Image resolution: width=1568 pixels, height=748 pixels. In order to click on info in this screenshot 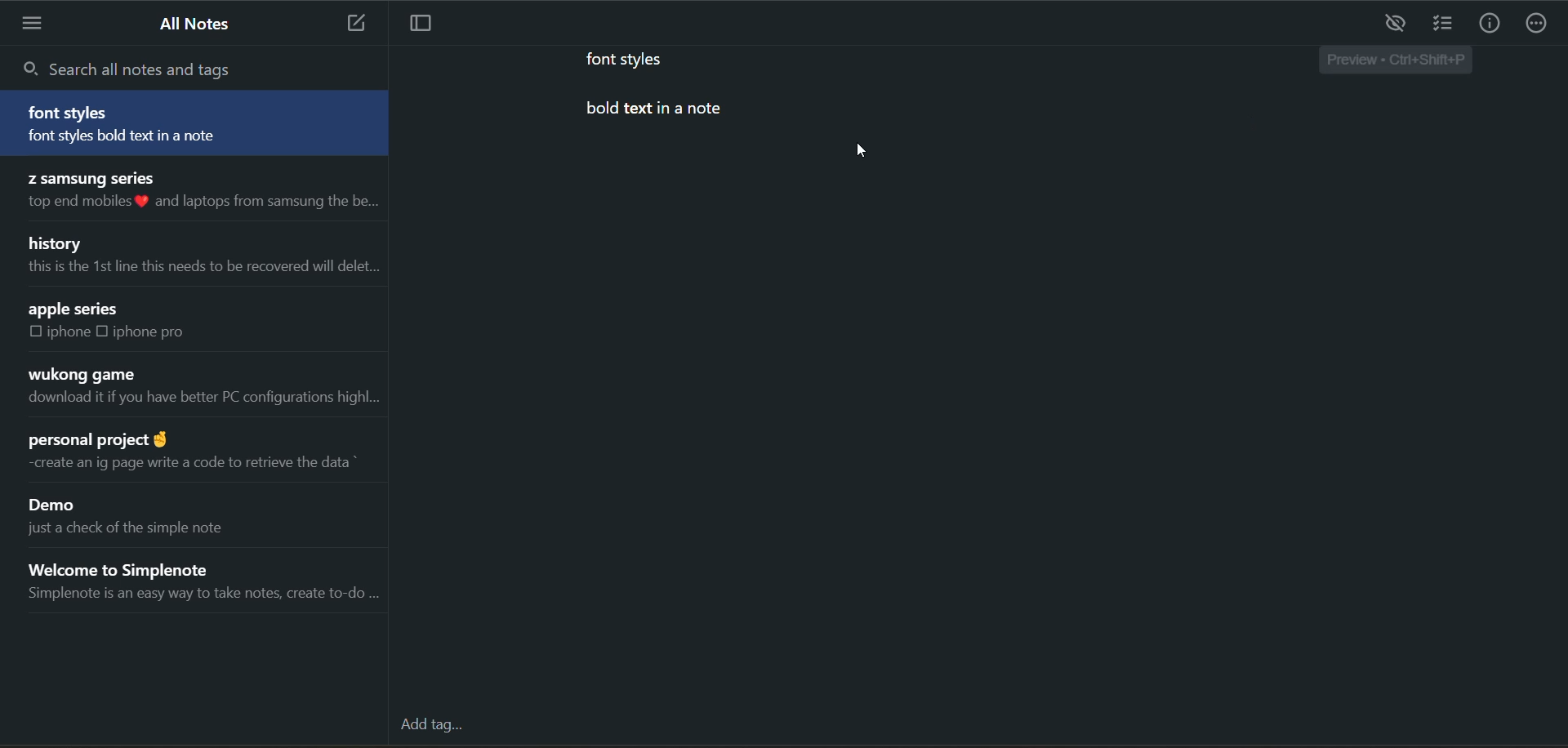, I will do `click(1489, 25)`.